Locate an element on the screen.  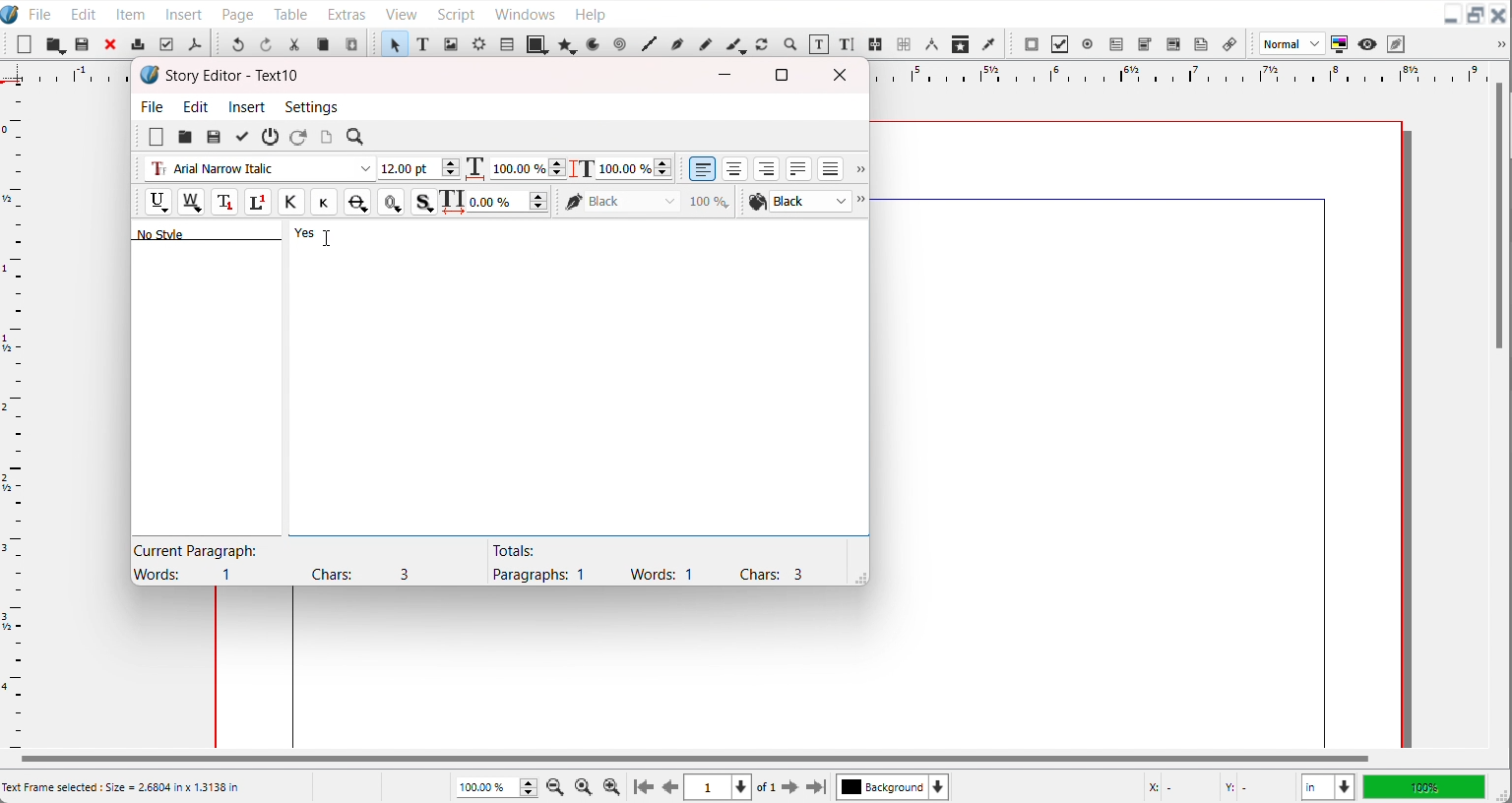
PDF Push button is located at coordinates (1032, 43).